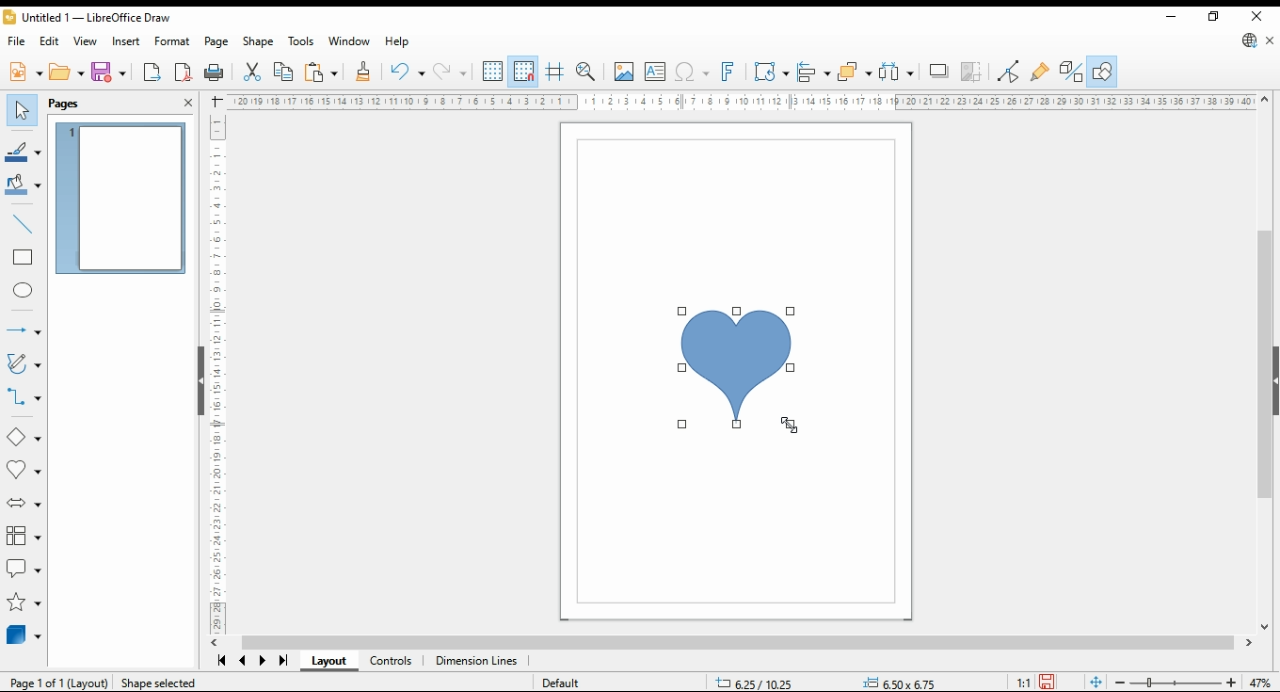 The image size is (1280, 692). I want to click on insert, so click(126, 42).